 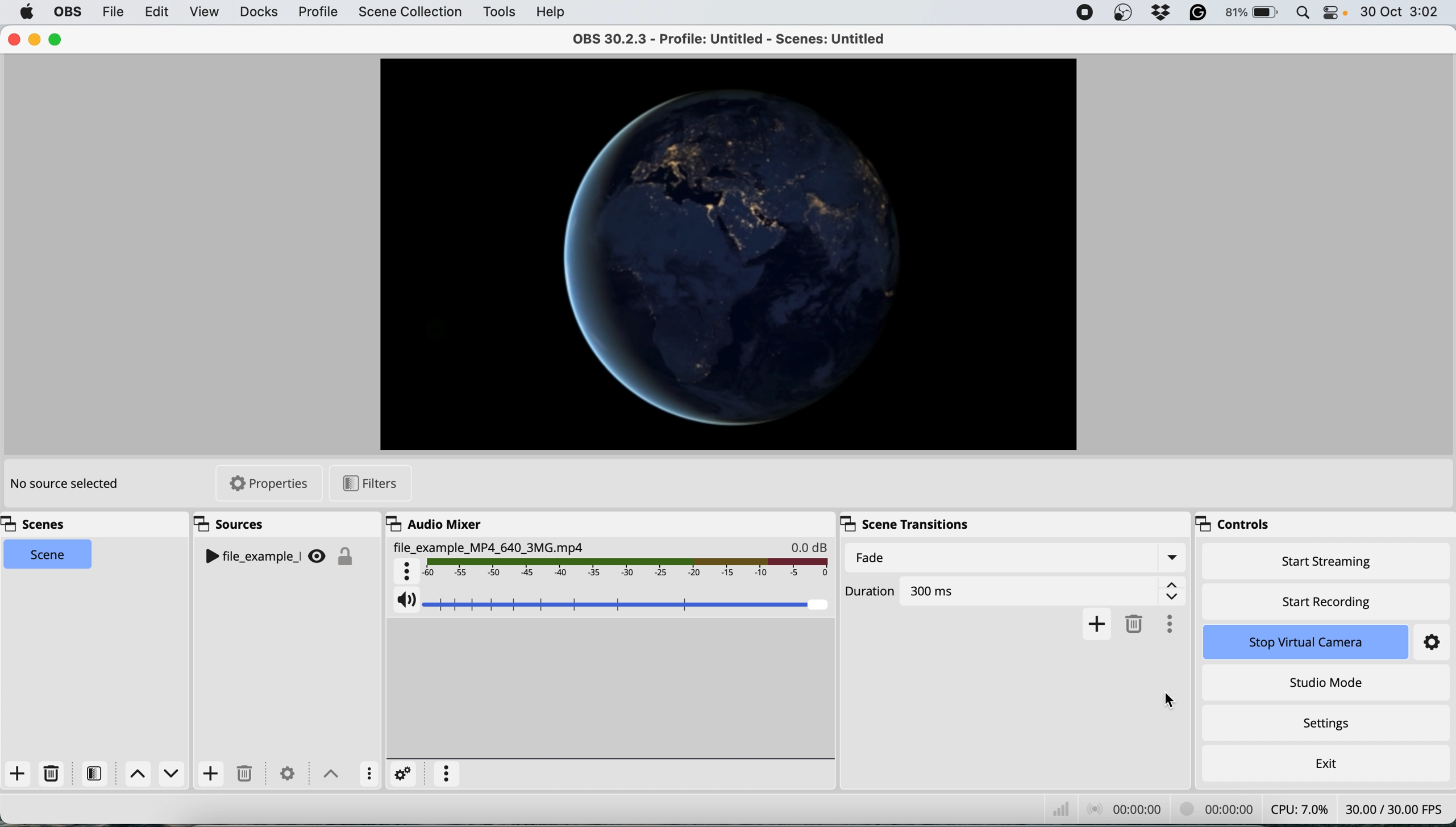 I want to click on studio mode, so click(x=1332, y=681).